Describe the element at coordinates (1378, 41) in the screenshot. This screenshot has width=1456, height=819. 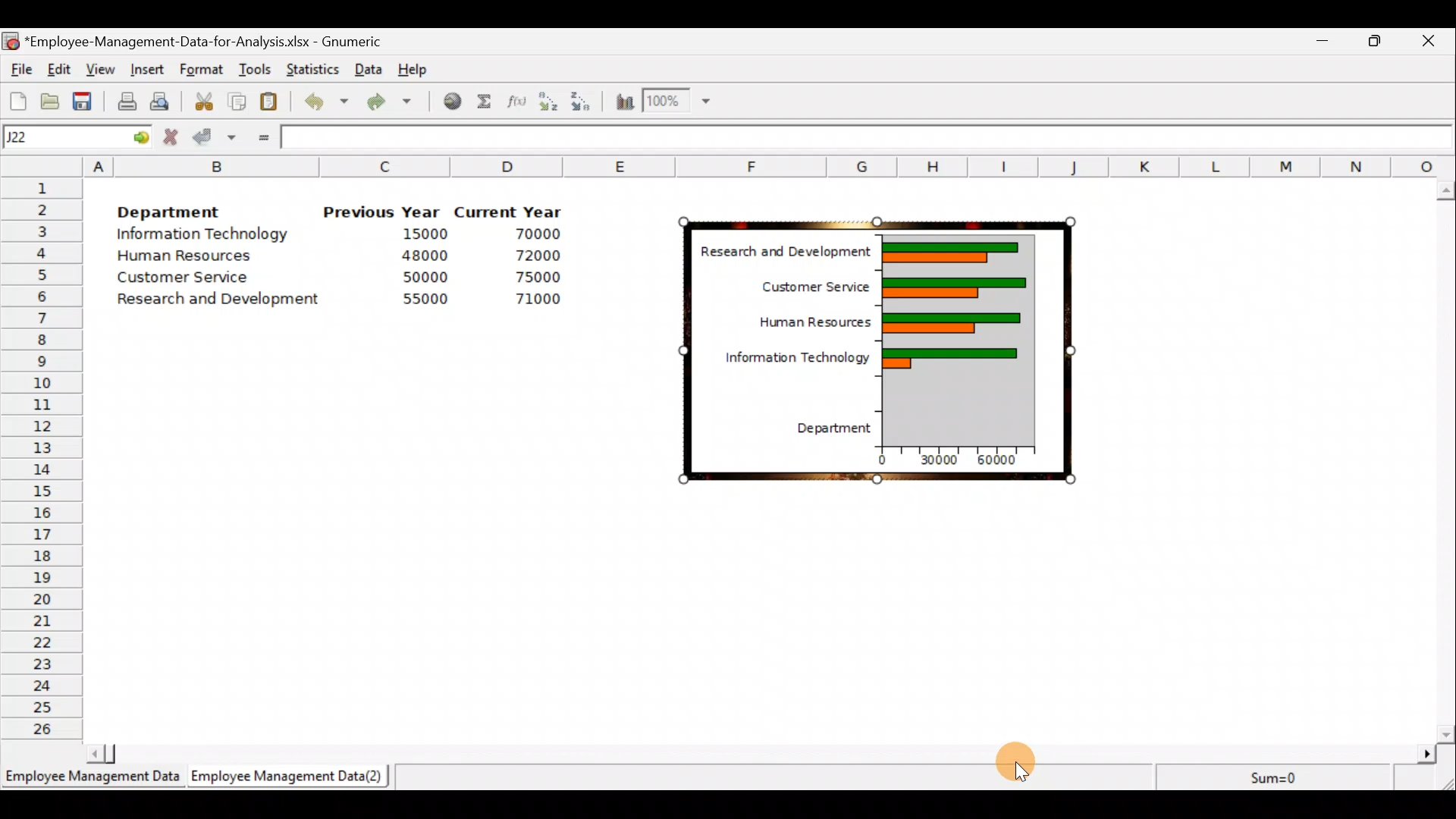
I see `Maximize` at that location.